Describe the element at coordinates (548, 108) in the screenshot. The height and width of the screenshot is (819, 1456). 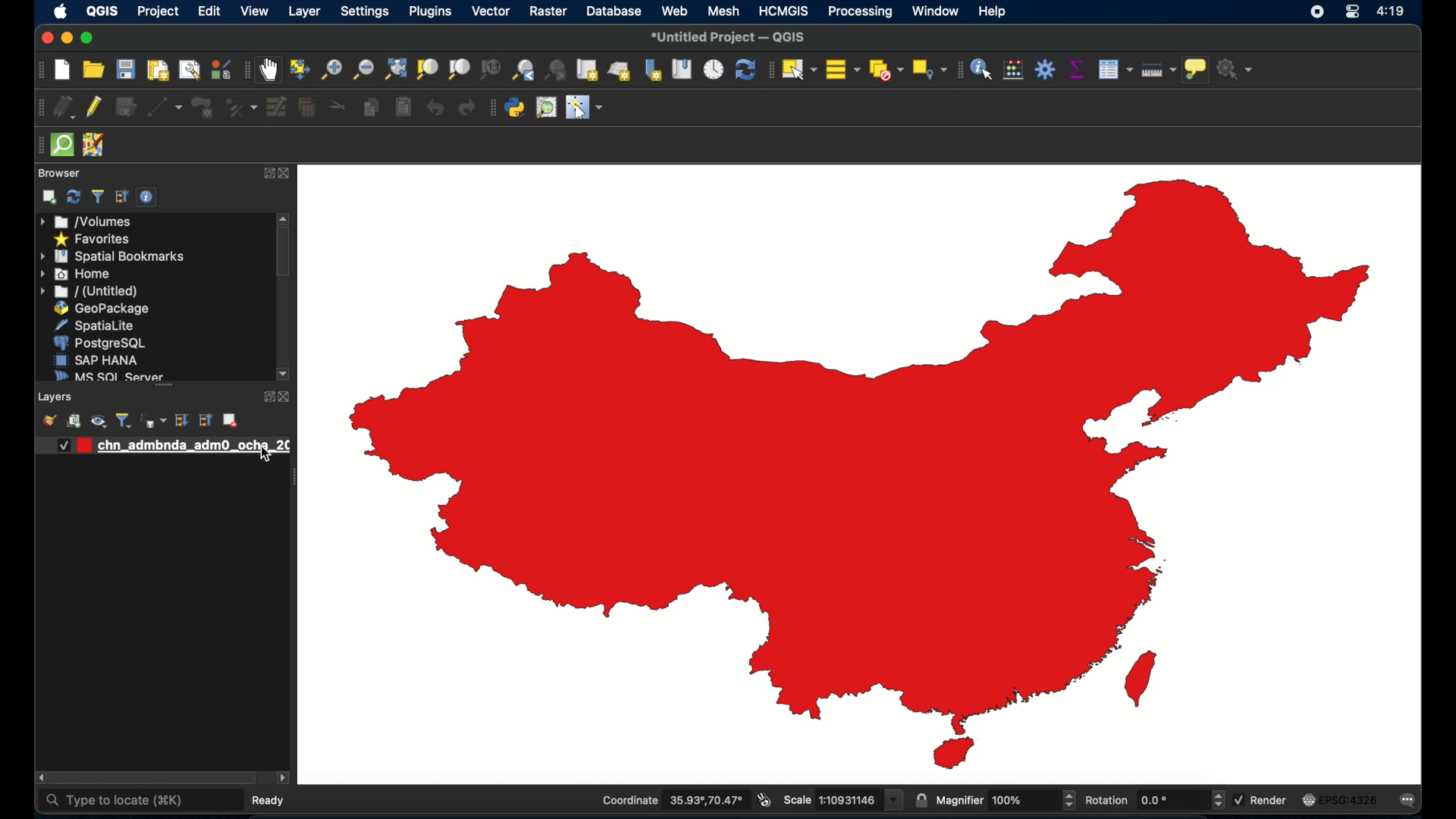
I see `osm place search` at that location.